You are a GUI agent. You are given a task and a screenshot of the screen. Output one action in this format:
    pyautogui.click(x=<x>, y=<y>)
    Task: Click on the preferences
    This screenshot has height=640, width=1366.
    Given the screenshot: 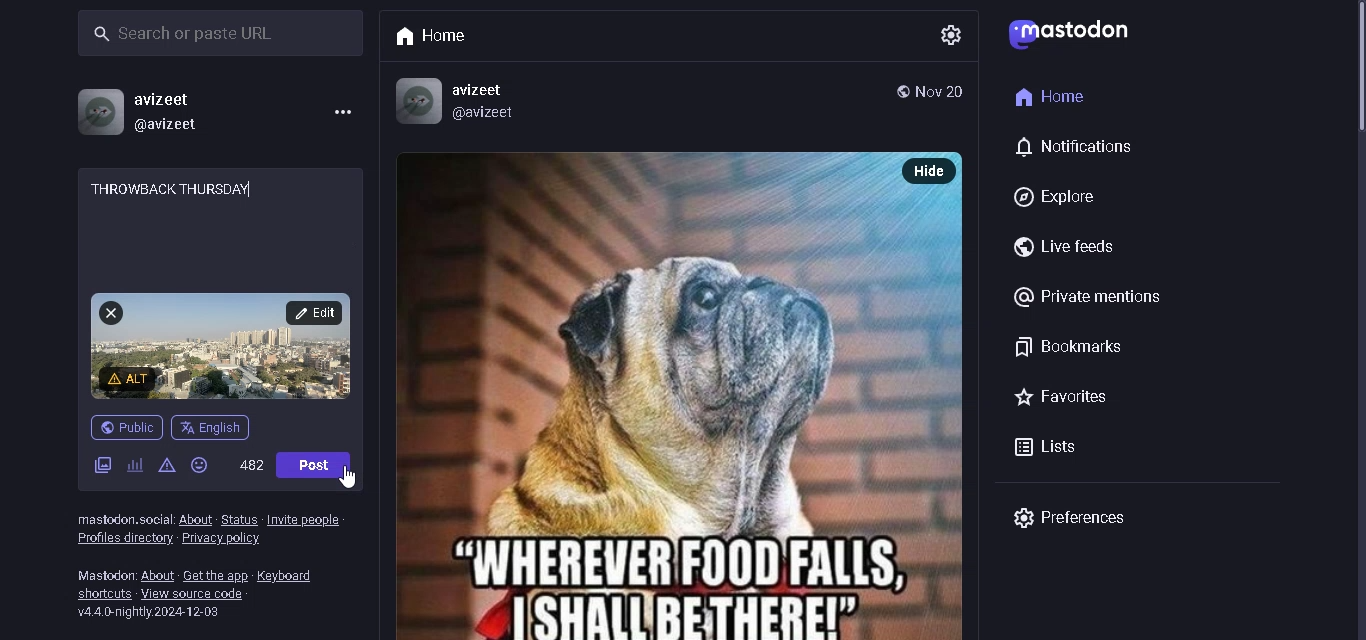 What is the action you would take?
    pyautogui.click(x=1078, y=515)
    